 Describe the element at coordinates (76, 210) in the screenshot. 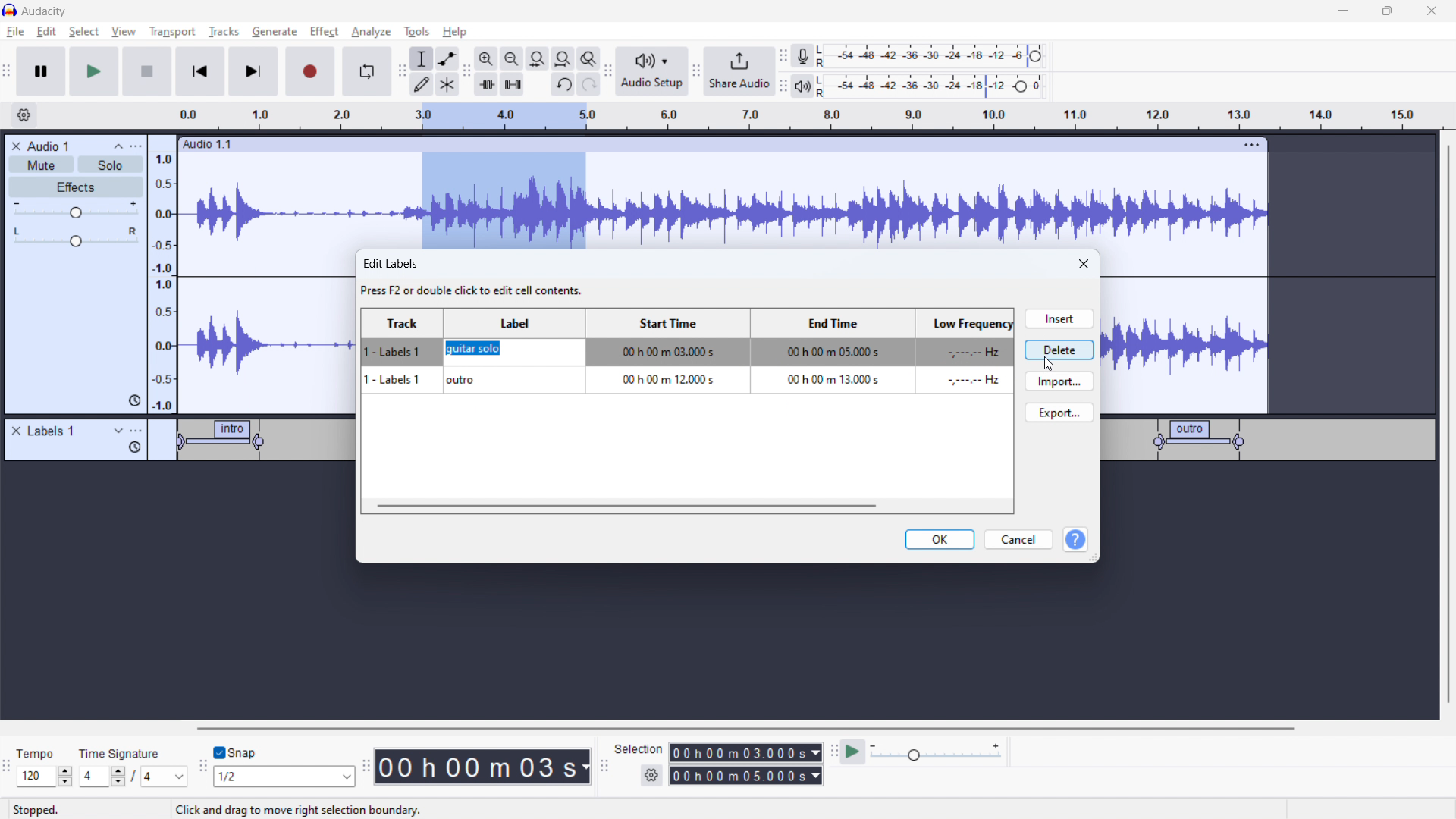

I see `gain` at that location.